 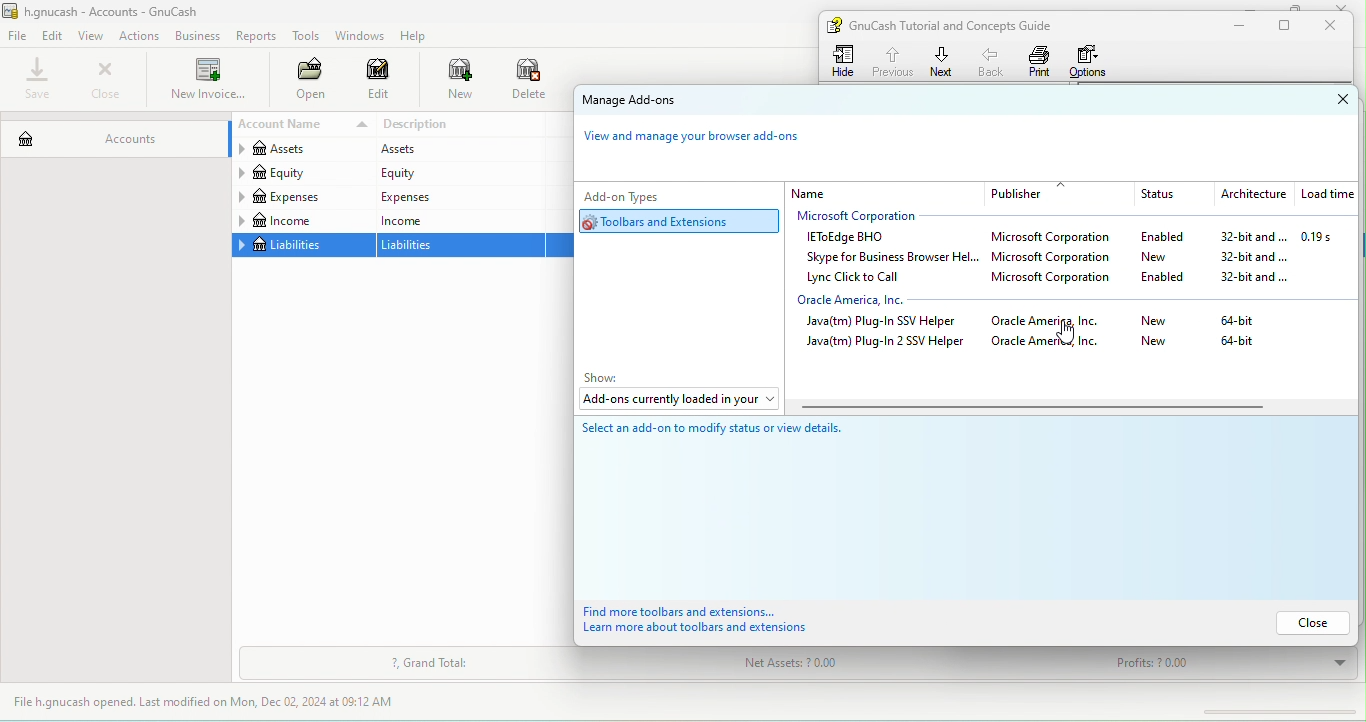 I want to click on account name, so click(x=300, y=125).